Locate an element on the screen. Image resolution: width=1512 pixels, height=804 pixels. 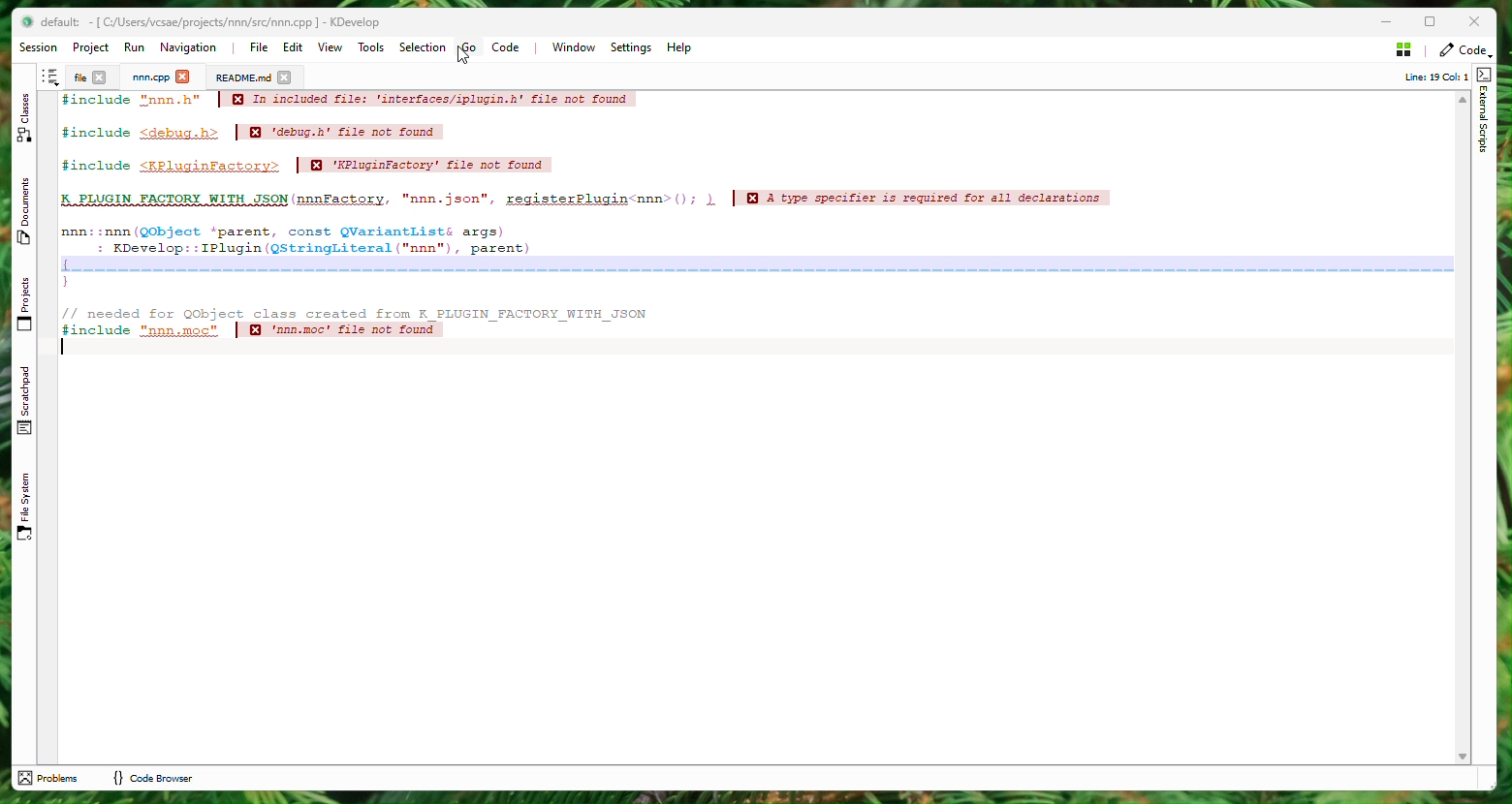
file name and application name is located at coordinates (210, 22).